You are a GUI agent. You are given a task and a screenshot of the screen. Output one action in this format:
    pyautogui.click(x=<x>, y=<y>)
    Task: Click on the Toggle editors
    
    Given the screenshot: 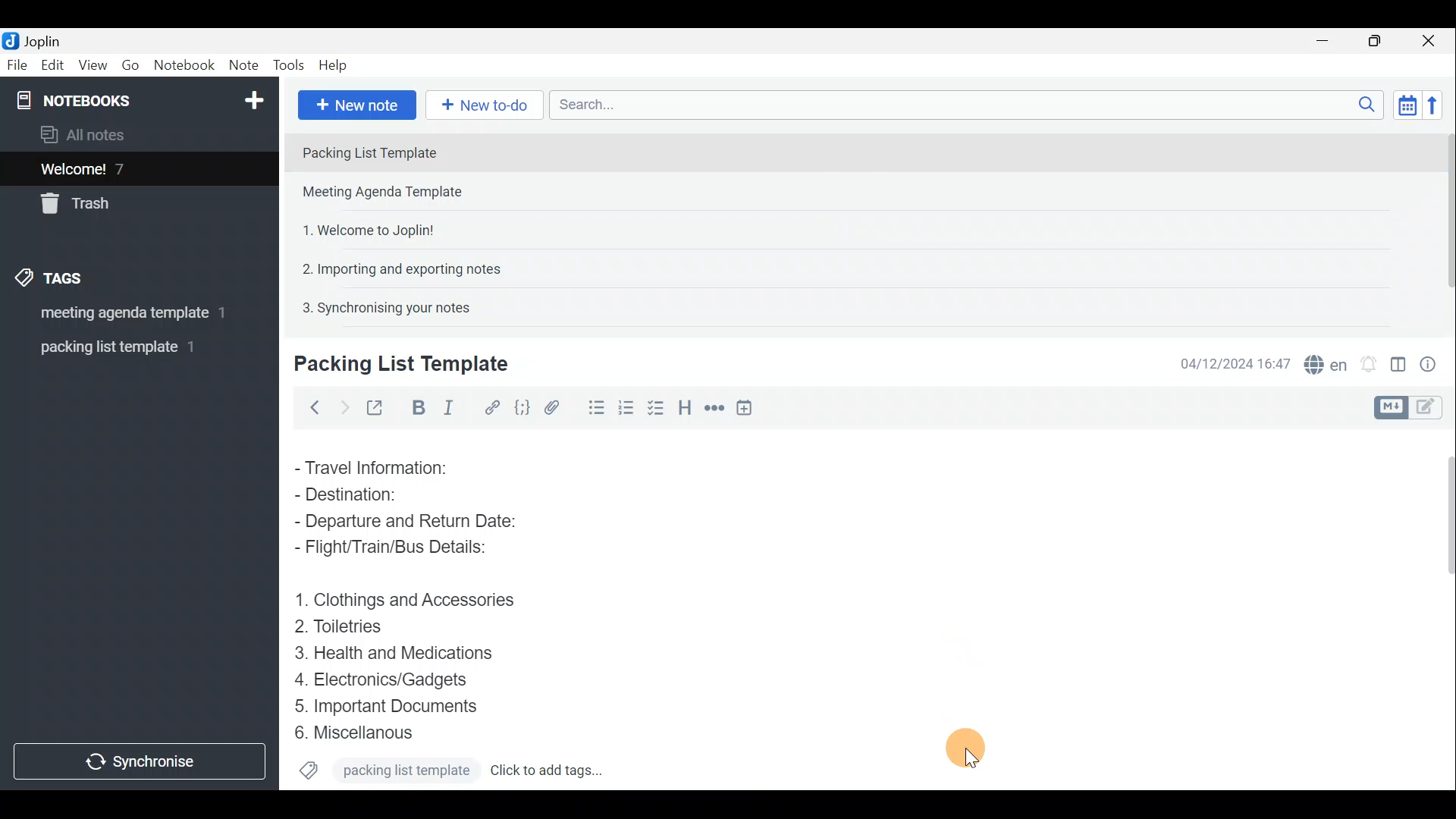 What is the action you would take?
    pyautogui.click(x=1433, y=409)
    